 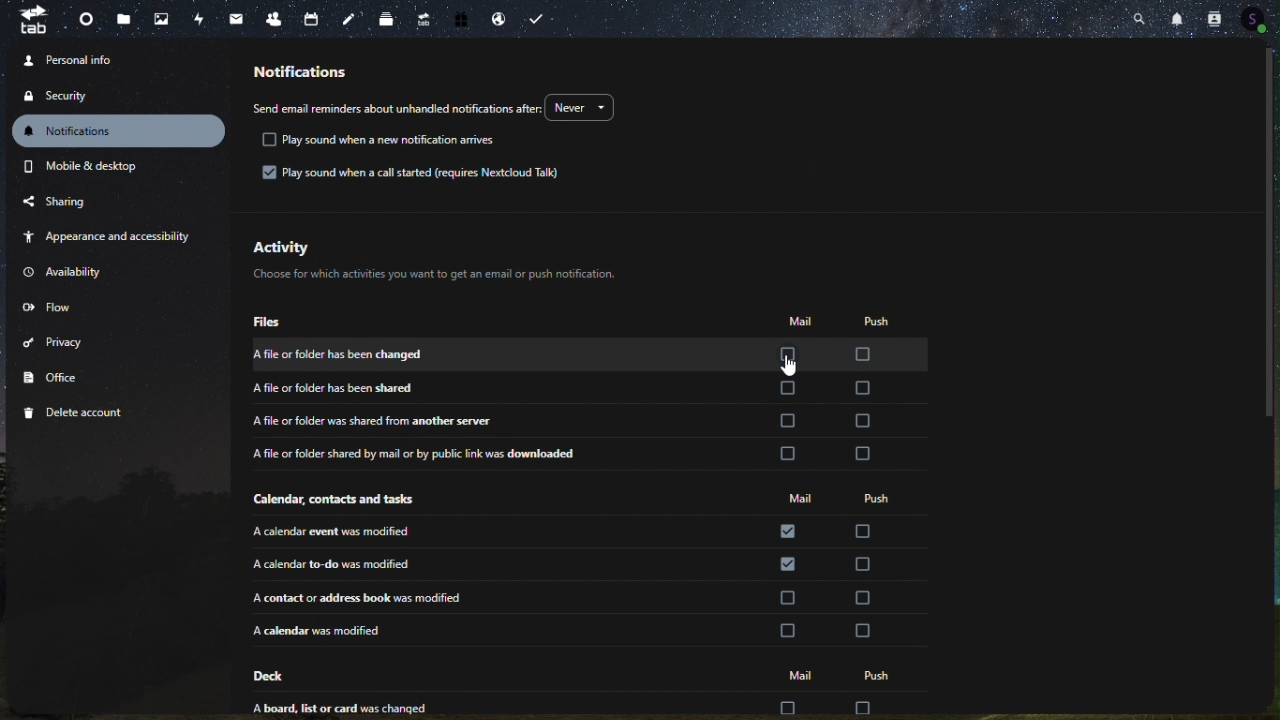 What do you see at coordinates (397, 110) in the screenshot?
I see `send email reminders about unhandled notifications` at bounding box center [397, 110].